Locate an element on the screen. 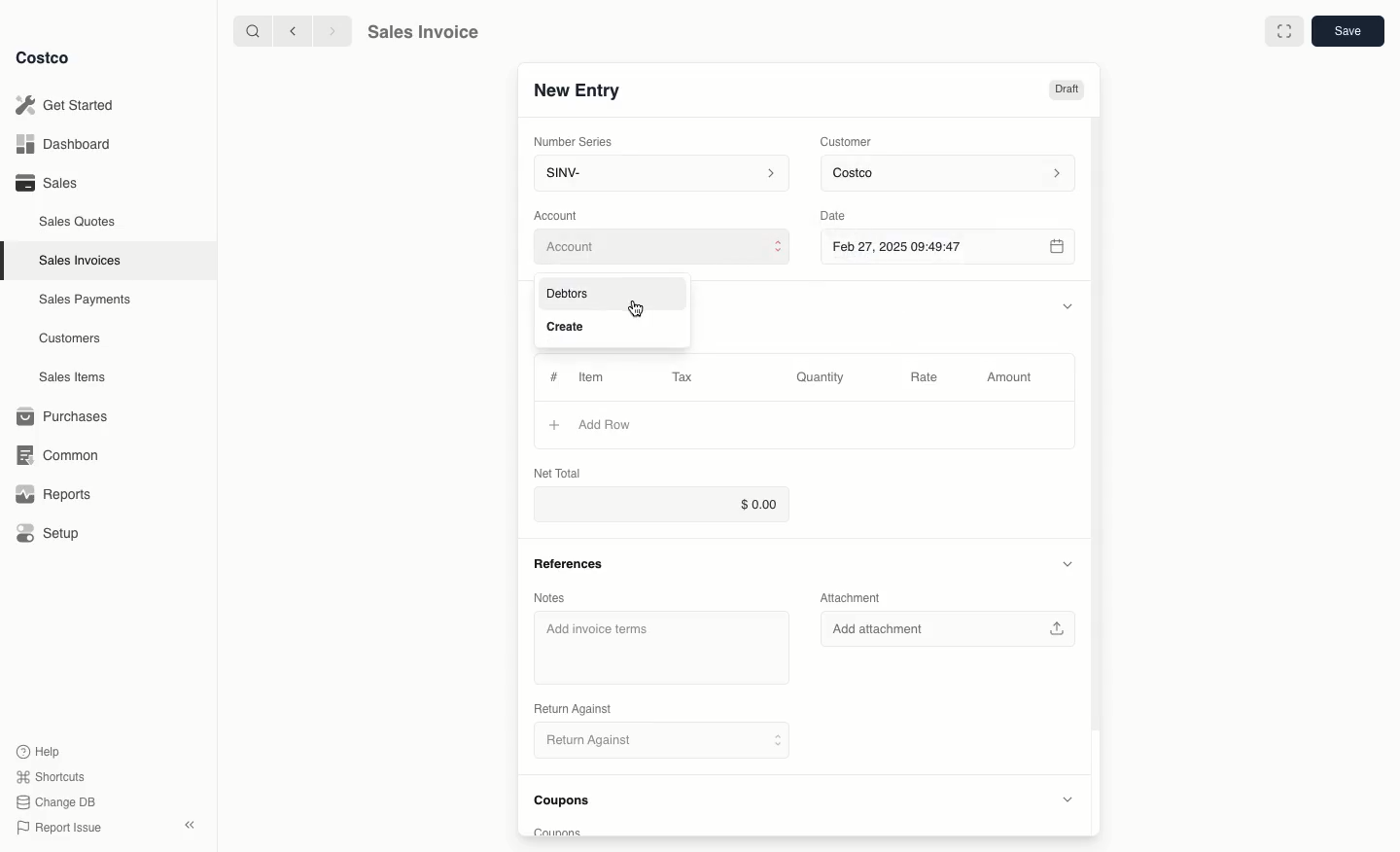 Image resolution: width=1400 pixels, height=852 pixels. Setup is located at coordinates (50, 535).